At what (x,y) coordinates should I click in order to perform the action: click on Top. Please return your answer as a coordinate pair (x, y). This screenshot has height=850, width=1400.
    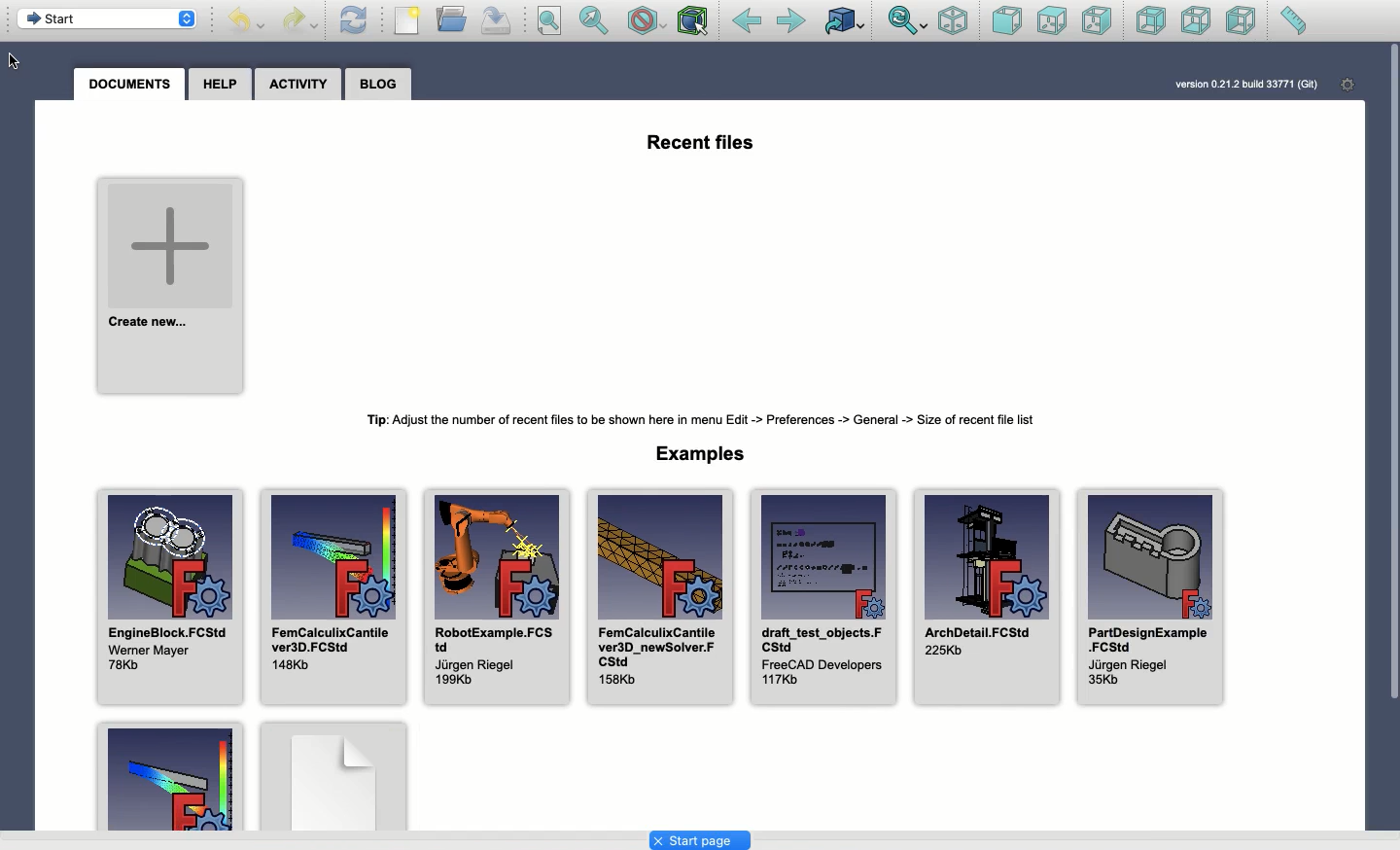
    Looking at the image, I should click on (1053, 19).